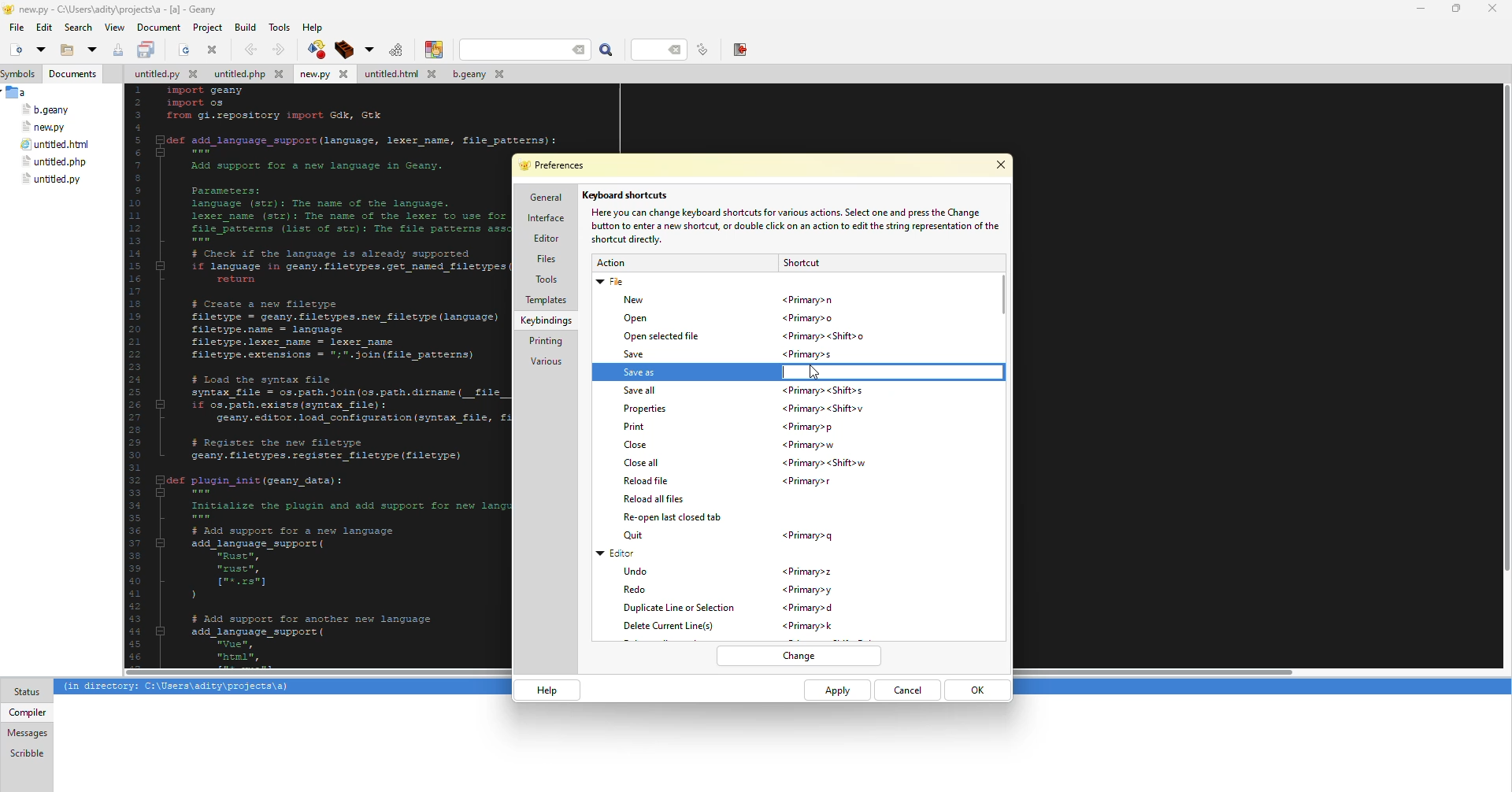 The image size is (1512, 792). I want to click on keyboard shortcuts, so click(627, 195).